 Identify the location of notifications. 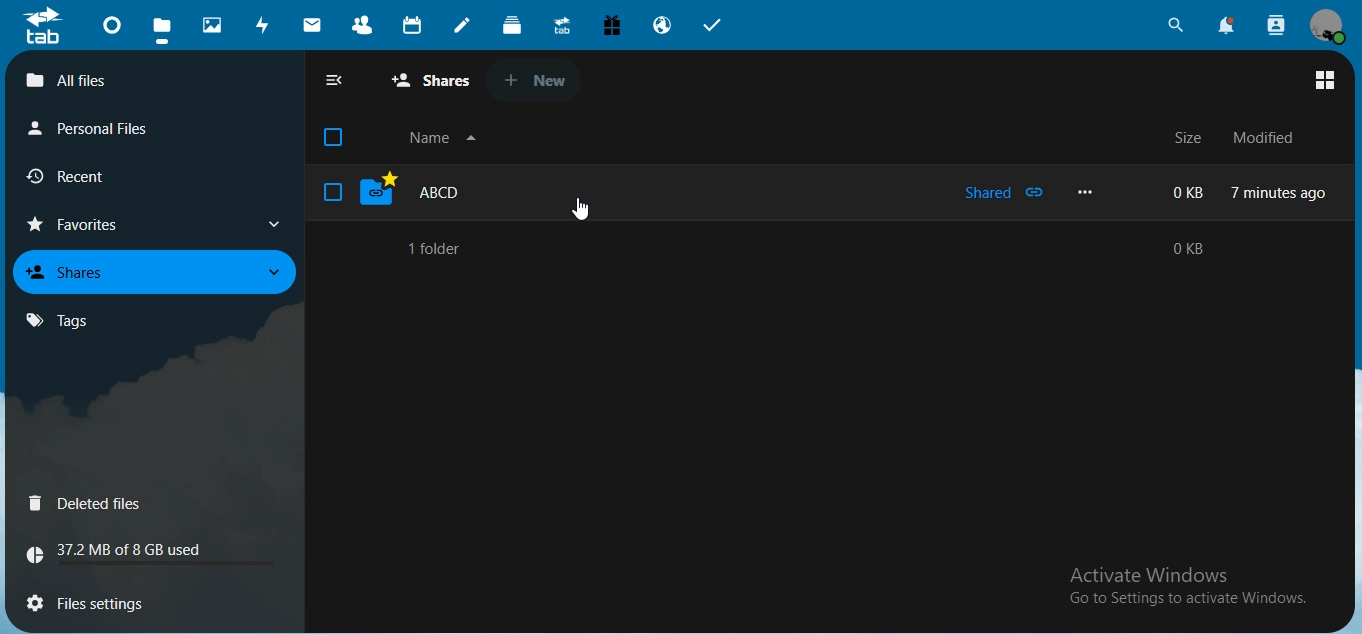
(1228, 27).